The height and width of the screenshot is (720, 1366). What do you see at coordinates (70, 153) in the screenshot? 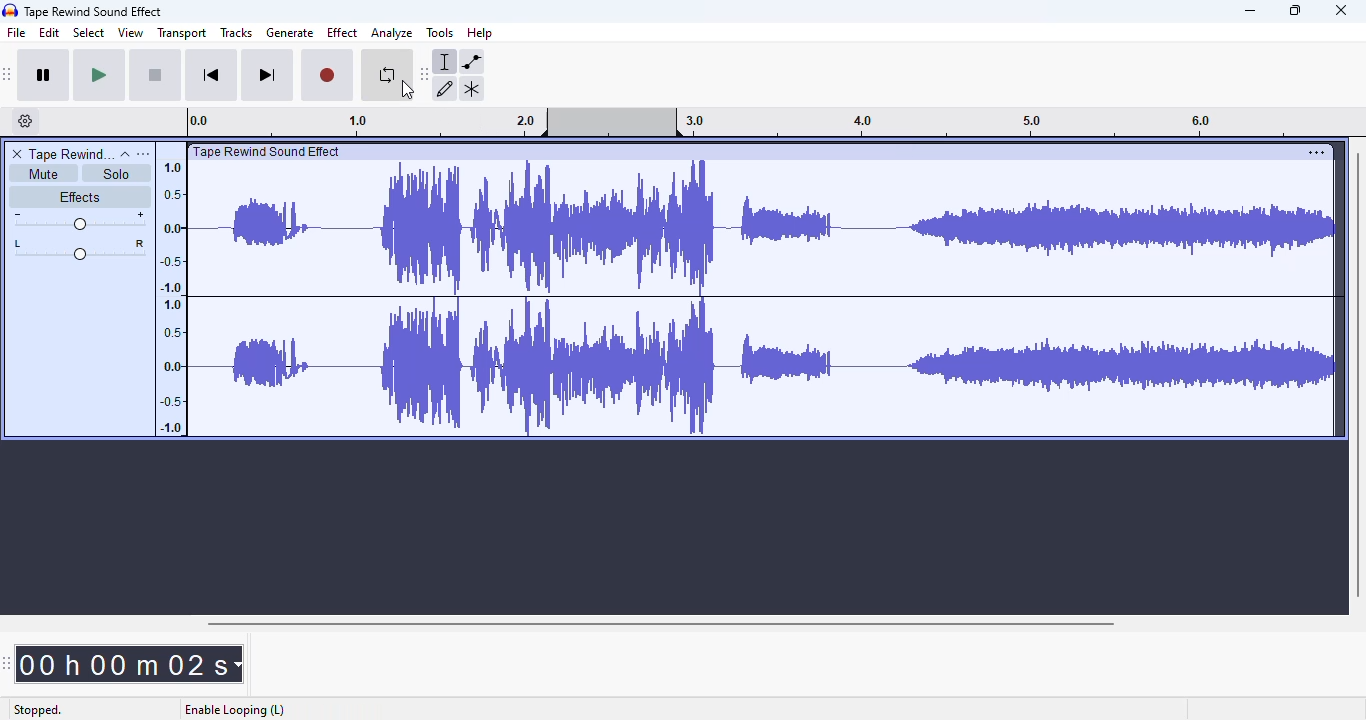
I see `tape rewind sound effect` at bounding box center [70, 153].